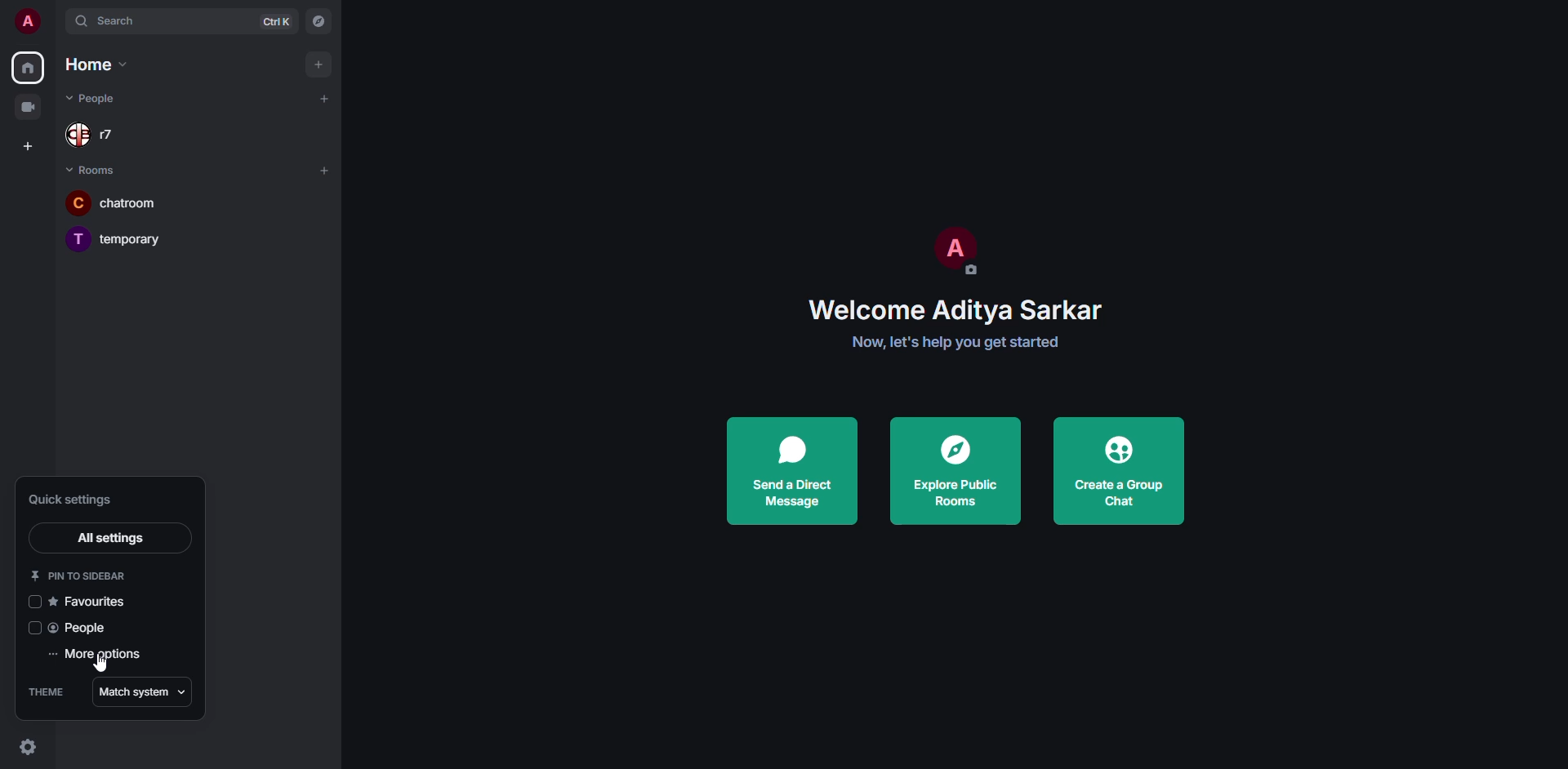  What do you see at coordinates (95, 600) in the screenshot?
I see `favorites` at bounding box center [95, 600].